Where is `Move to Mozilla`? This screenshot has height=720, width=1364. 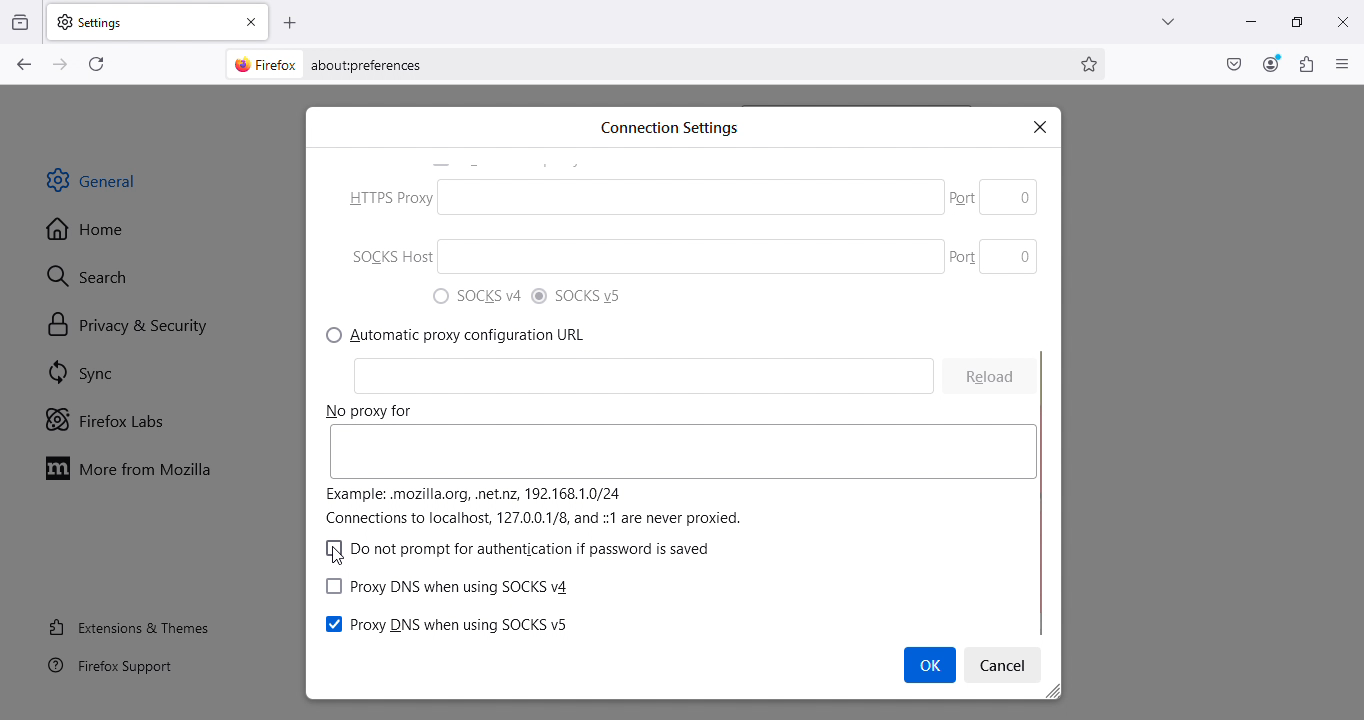
Move to Mozilla is located at coordinates (134, 467).